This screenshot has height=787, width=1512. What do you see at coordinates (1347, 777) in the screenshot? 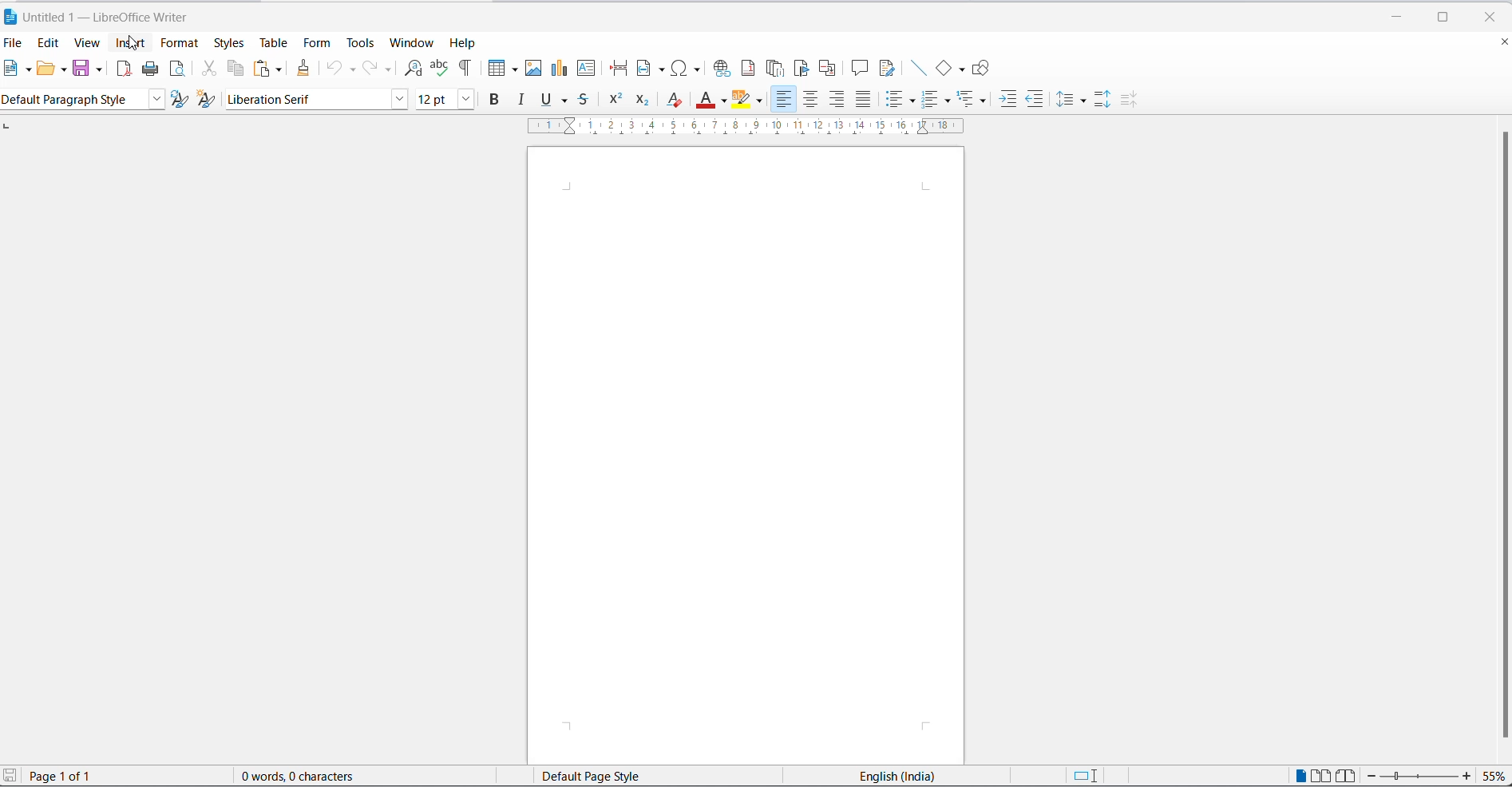
I see `book view` at bounding box center [1347, 777].